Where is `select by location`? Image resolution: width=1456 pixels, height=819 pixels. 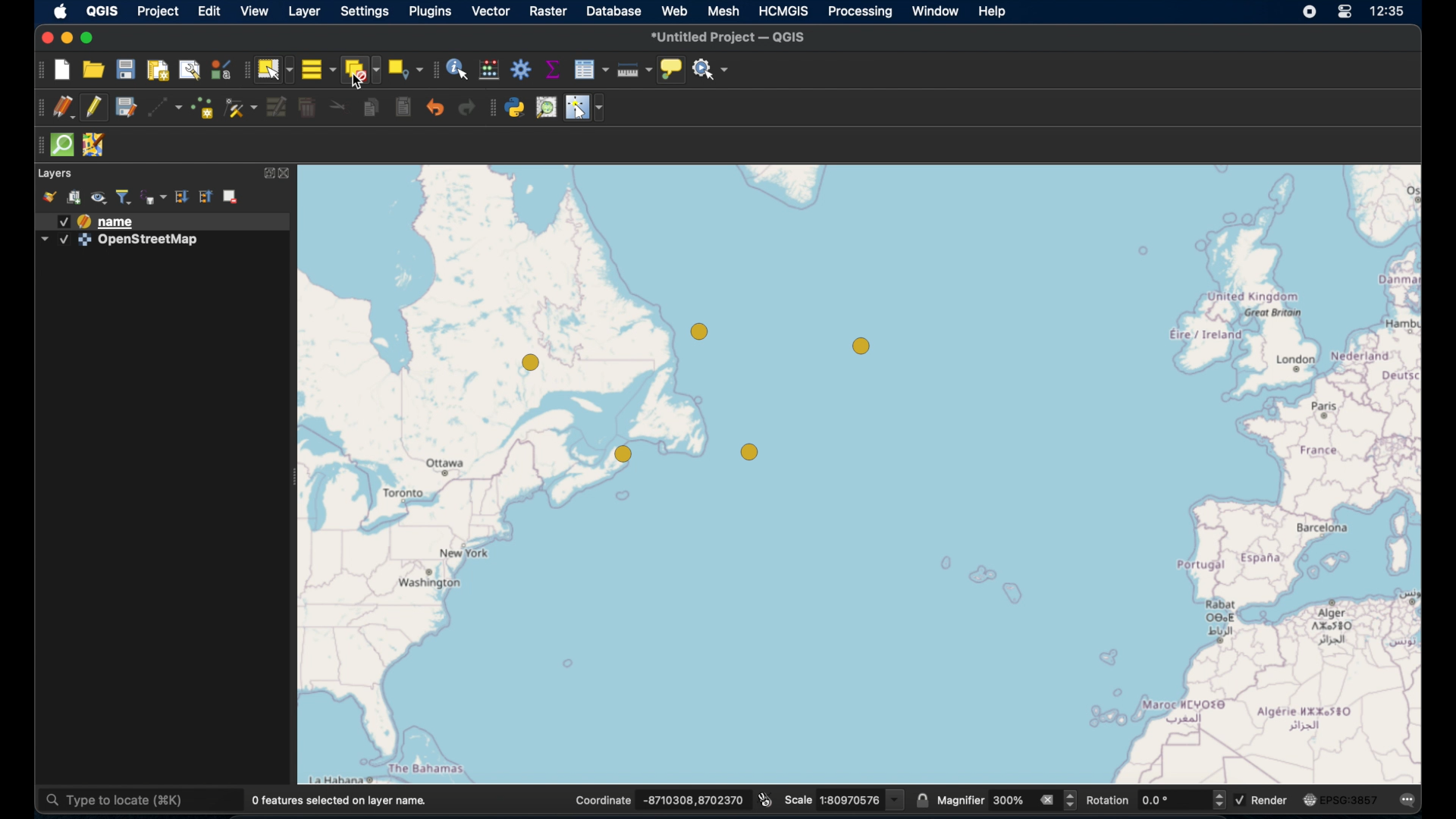
select by location is located at coordinates (405, 67).